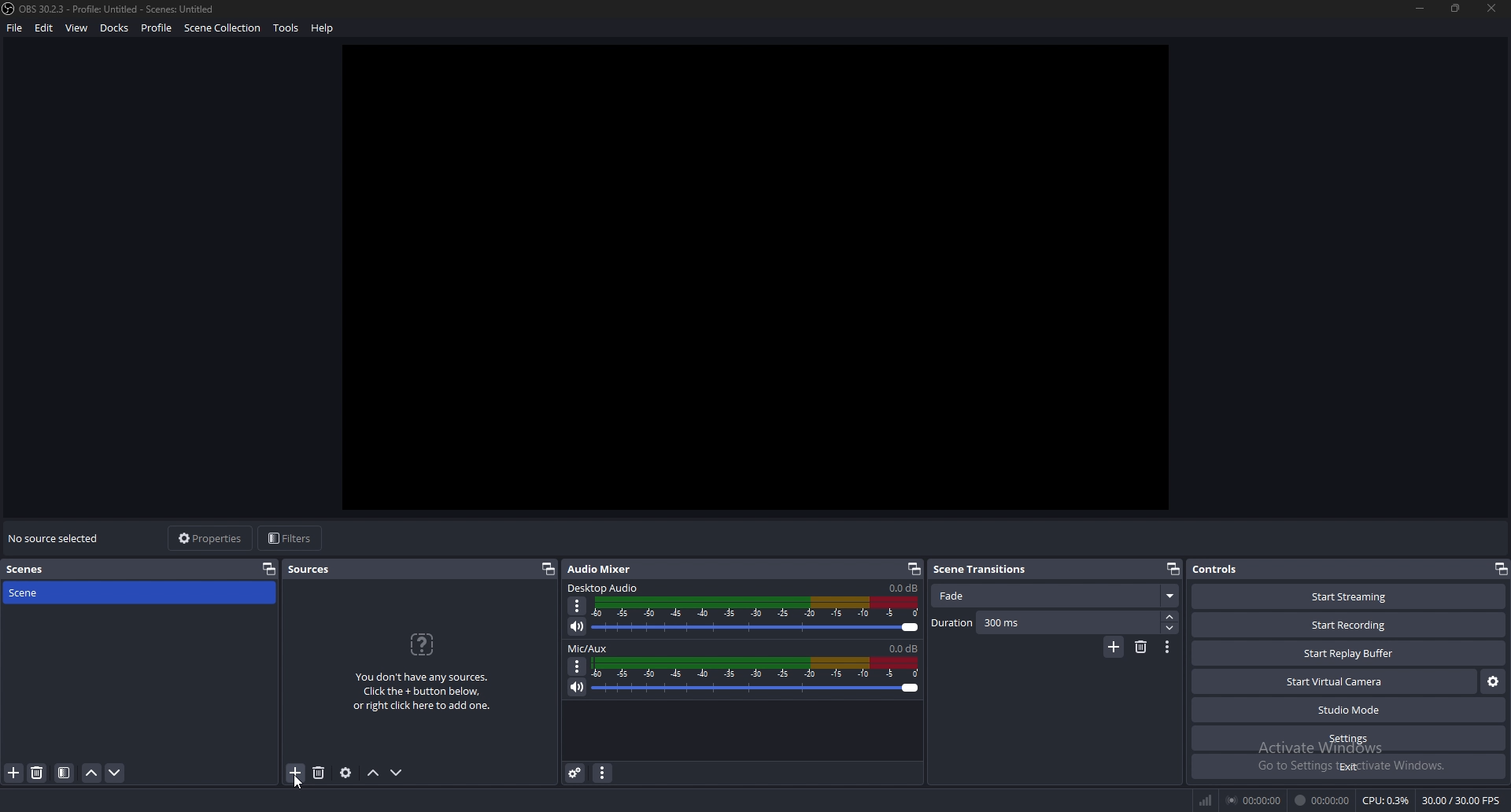 The image size is (1511, 812). What do you see at coordinates (903, 588) in the screenshot?
I see `volume level` at bounding box center [903, 588].